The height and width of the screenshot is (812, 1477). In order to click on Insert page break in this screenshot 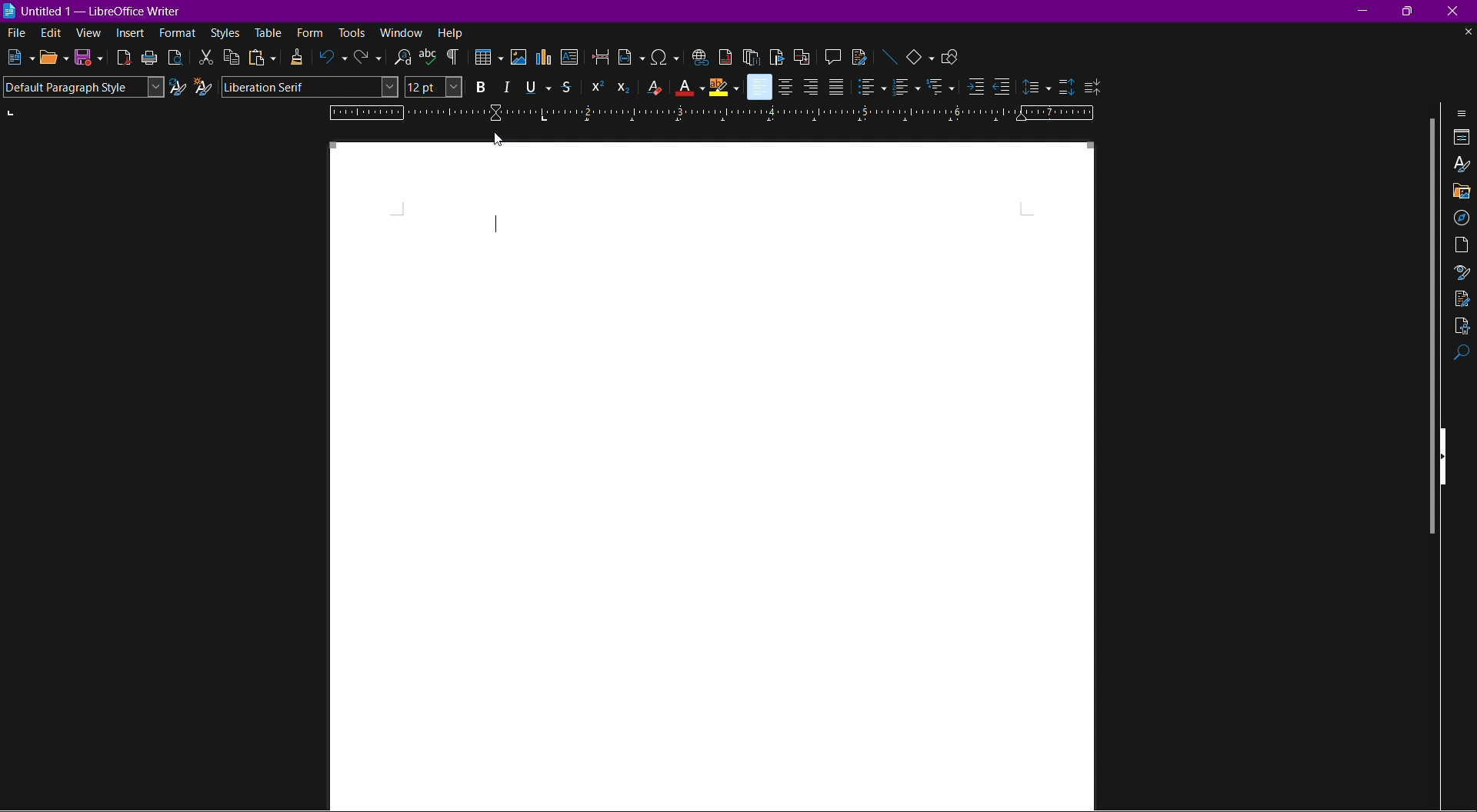, I will do `click(602, 58)`.